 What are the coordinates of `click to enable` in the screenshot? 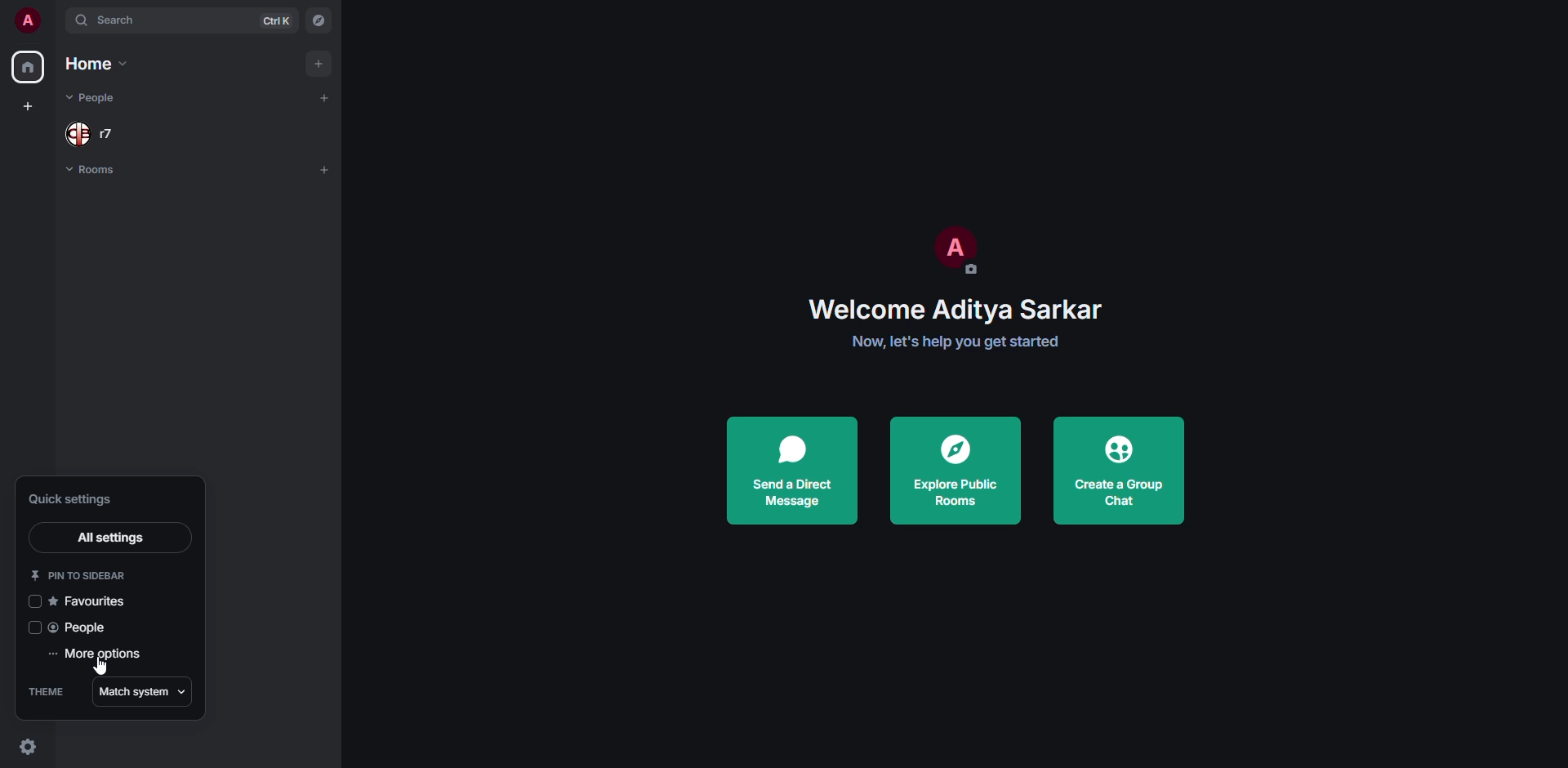 It's located at (35, 602).